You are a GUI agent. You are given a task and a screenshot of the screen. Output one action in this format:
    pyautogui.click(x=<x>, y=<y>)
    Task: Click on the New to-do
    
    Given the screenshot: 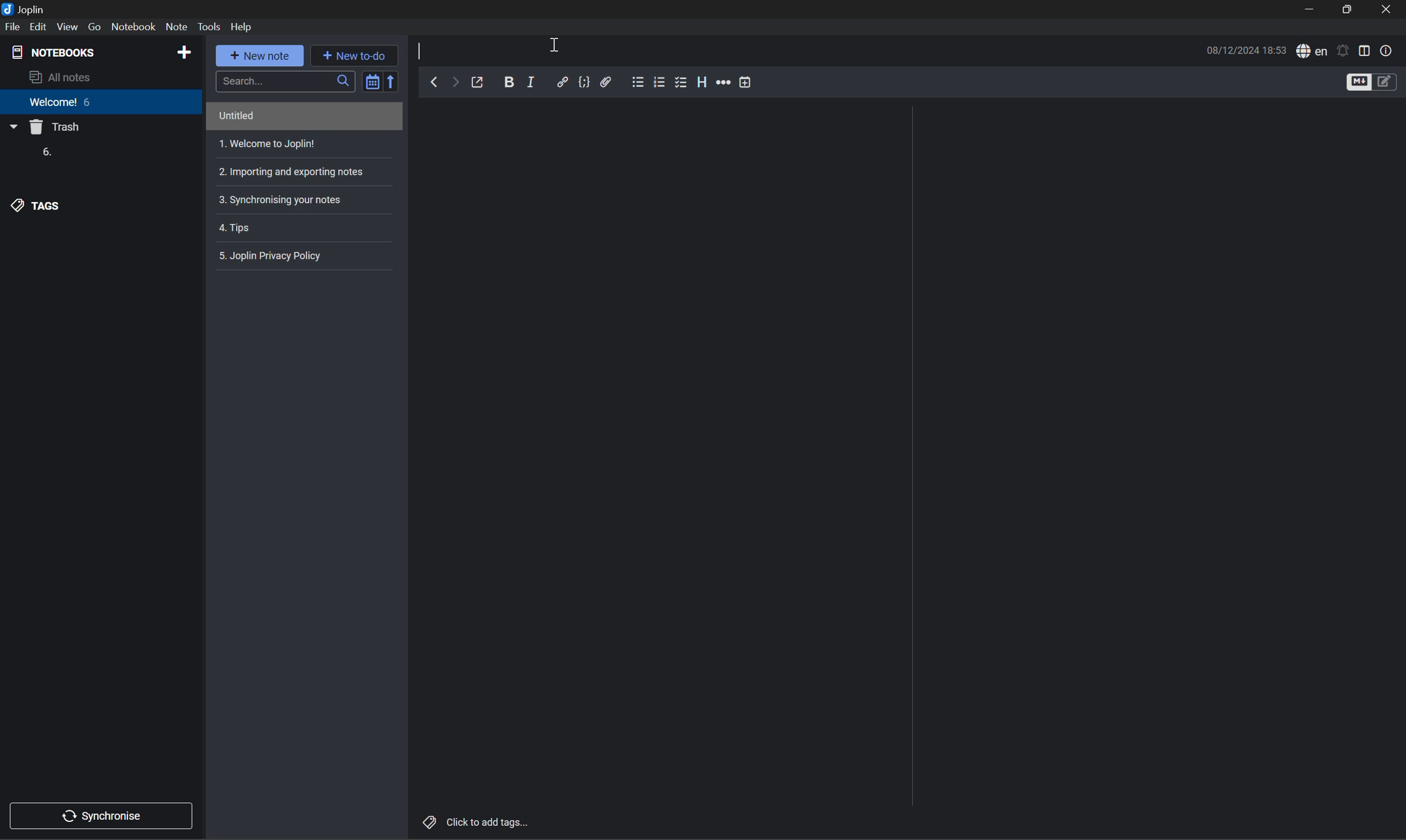 What is the action you would take?
    pyautogui.click(x=360, y=55)
    